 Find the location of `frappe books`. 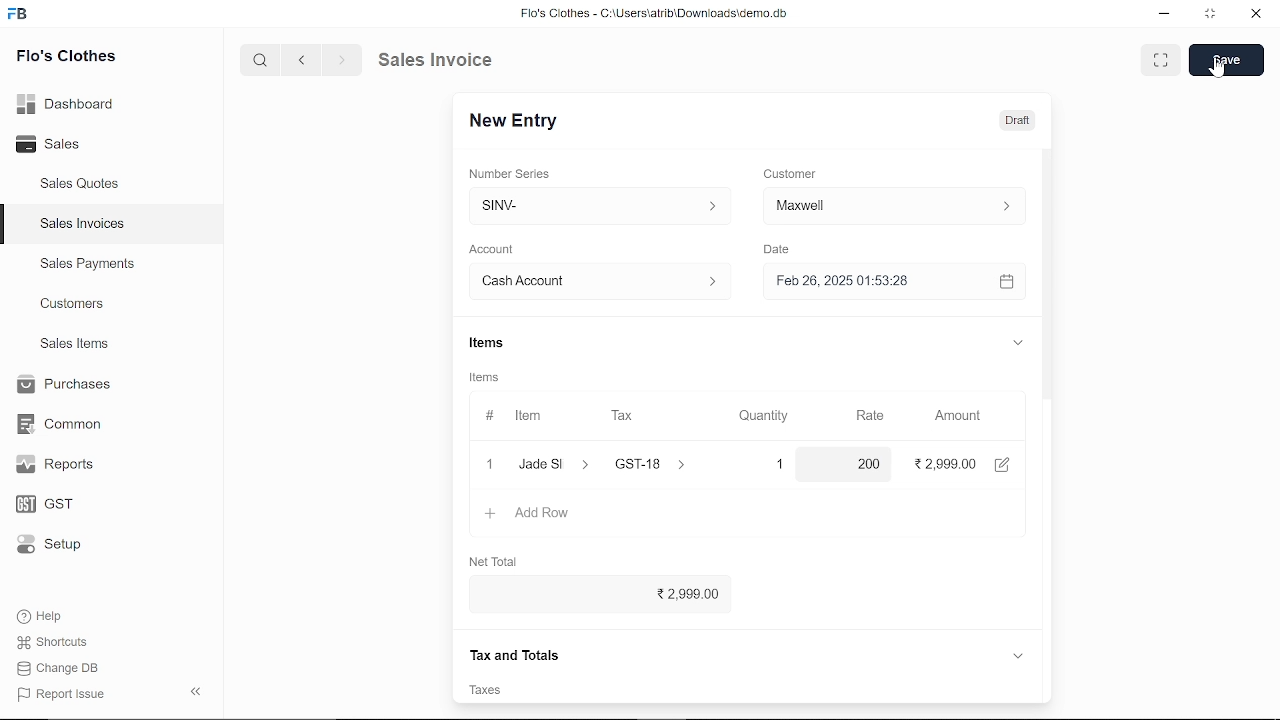

frappe books is located at coordinates (18, 16).